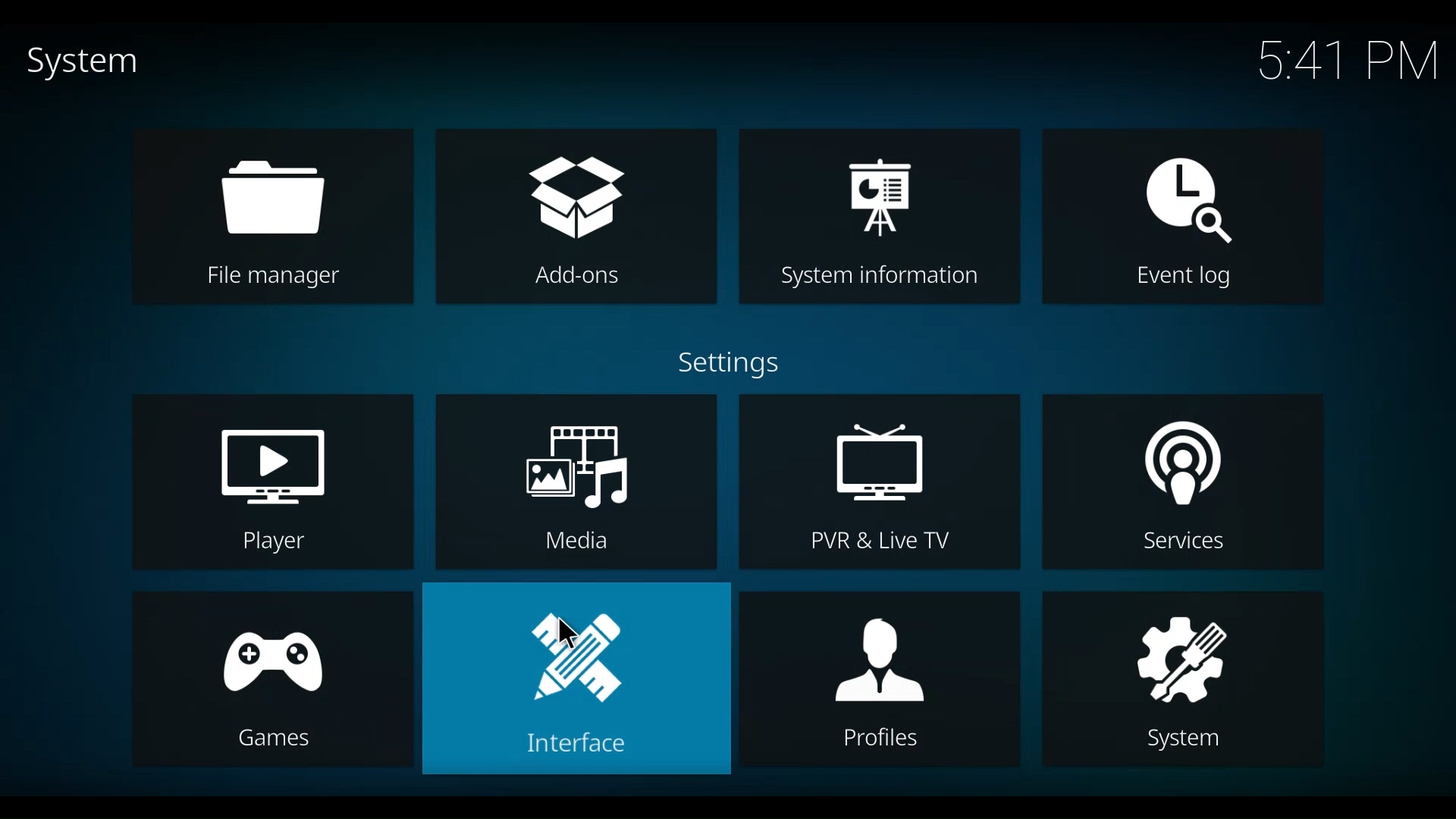 The height and width of the screenshot is (819, 1456). Describe the element at coordinates (1184, 216) in the screenshot. I see `Event log` at that location.